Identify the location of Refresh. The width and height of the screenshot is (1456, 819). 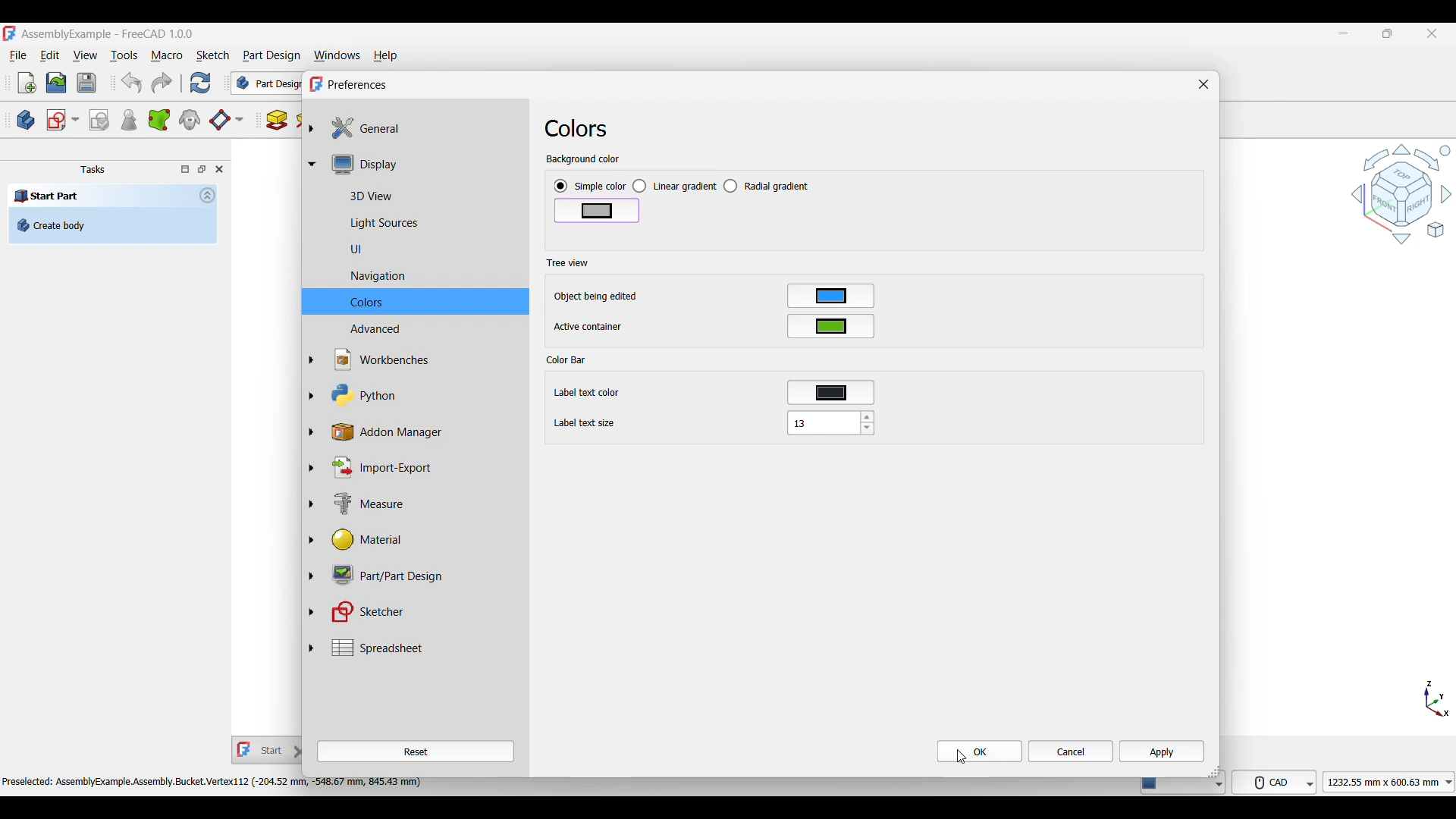
(199, 83).